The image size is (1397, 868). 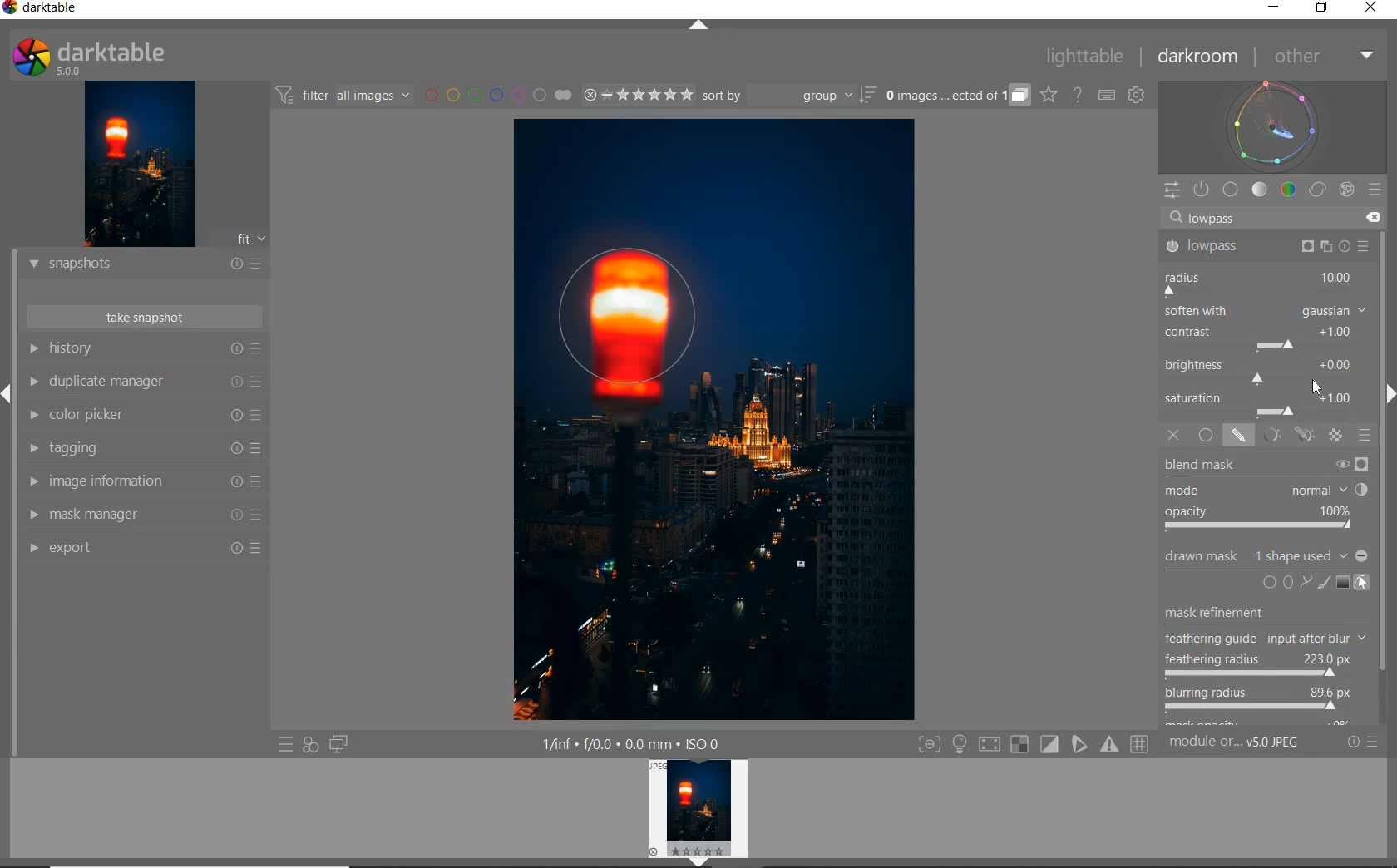 What do you see at coordinates (1034, 744) in the screenshot?
I see `TOGGLE MODES` at bounding box center [1034, 744].